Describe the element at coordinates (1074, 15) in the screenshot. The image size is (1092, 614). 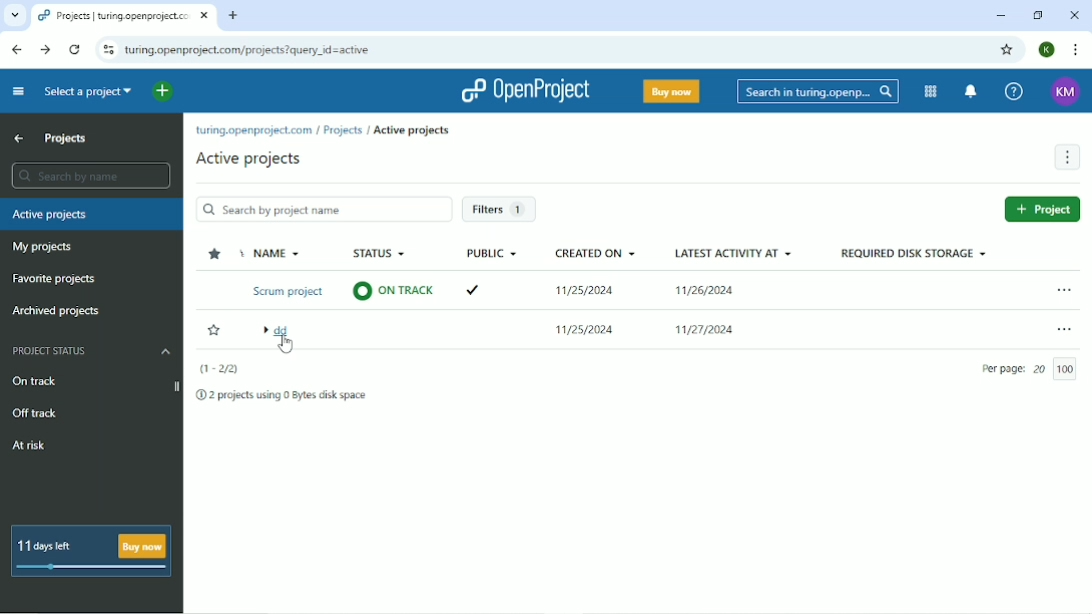
I see `Close` at that location.